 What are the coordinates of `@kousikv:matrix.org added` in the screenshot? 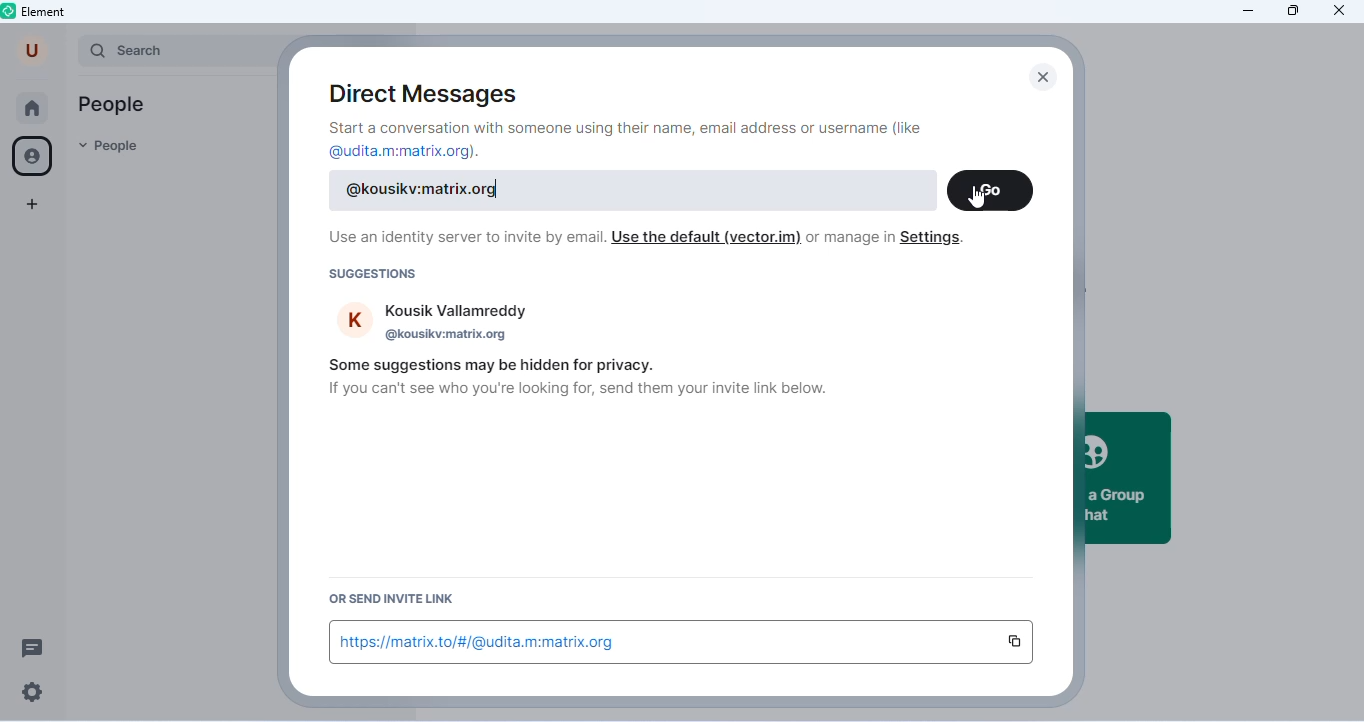 It's located at (428, 190).